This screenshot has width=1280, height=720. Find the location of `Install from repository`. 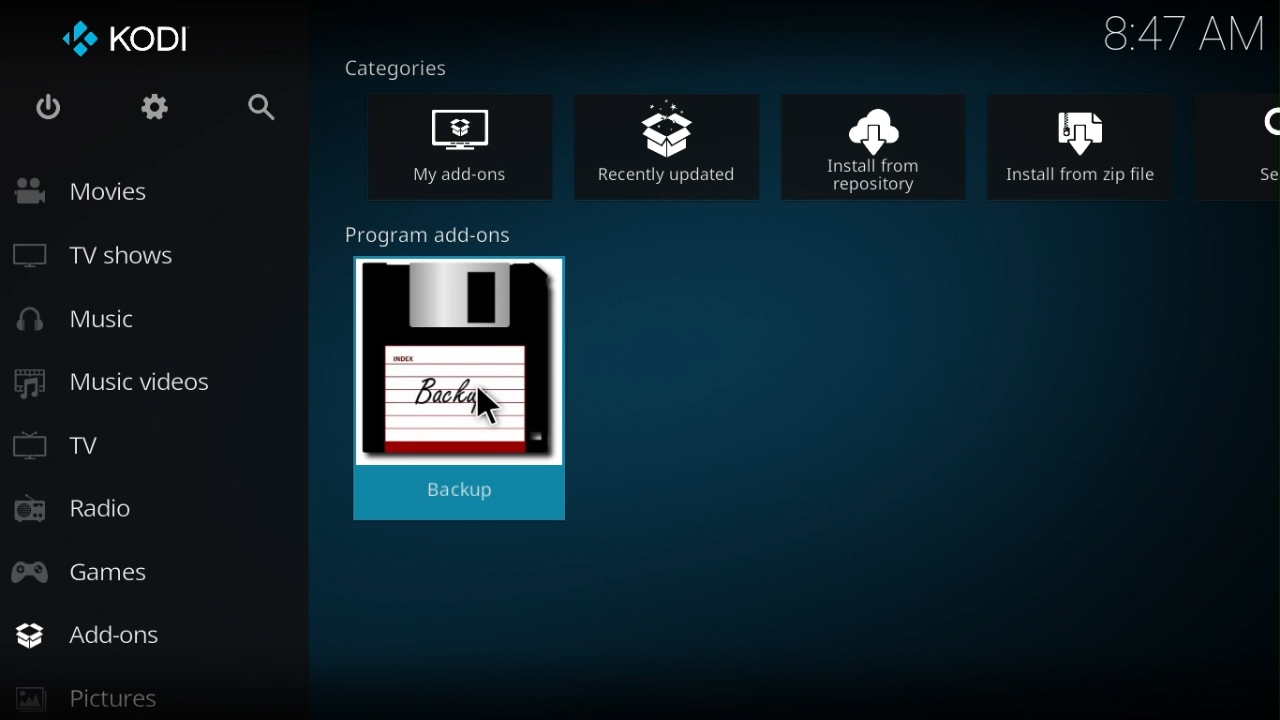

Install from repository is located at coordinates (886, 144).